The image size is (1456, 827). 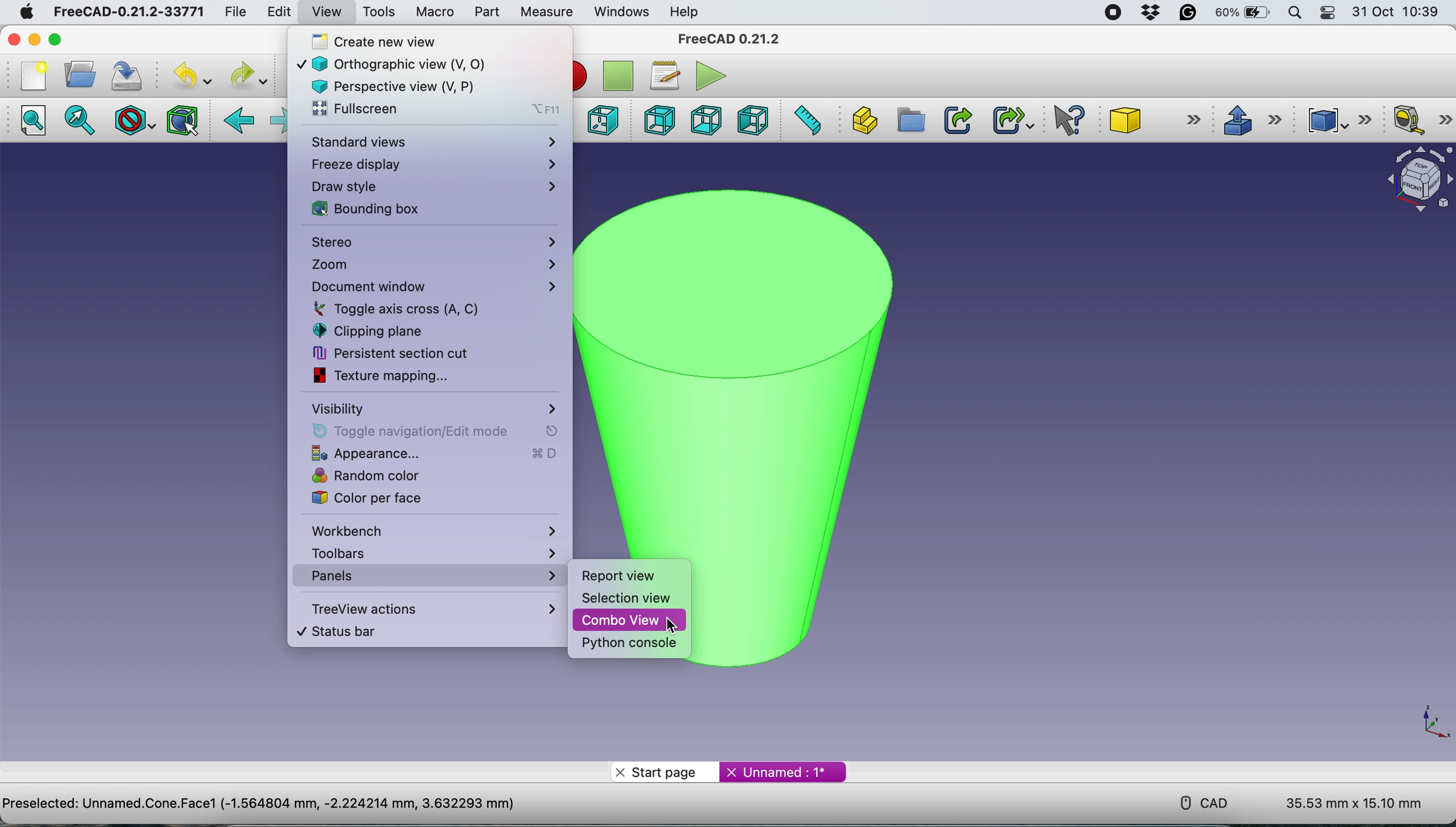 What do you see at coordinates (434, 11) in the screenshot?
I see `macro` at bounding box center [434, 11].